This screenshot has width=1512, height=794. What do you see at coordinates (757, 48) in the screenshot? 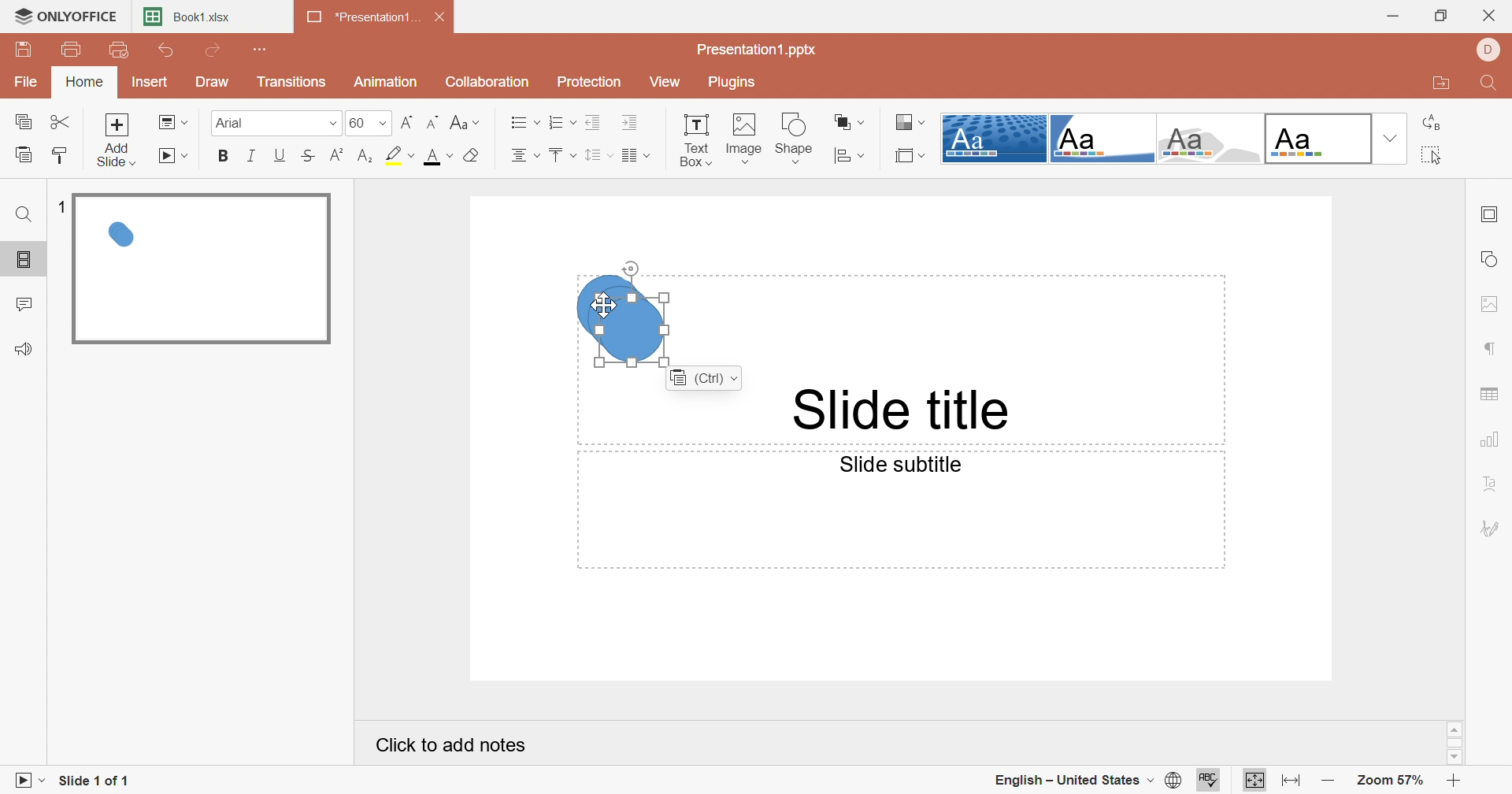
I see `Presentation.pptx` at bounding box center [757, 48].